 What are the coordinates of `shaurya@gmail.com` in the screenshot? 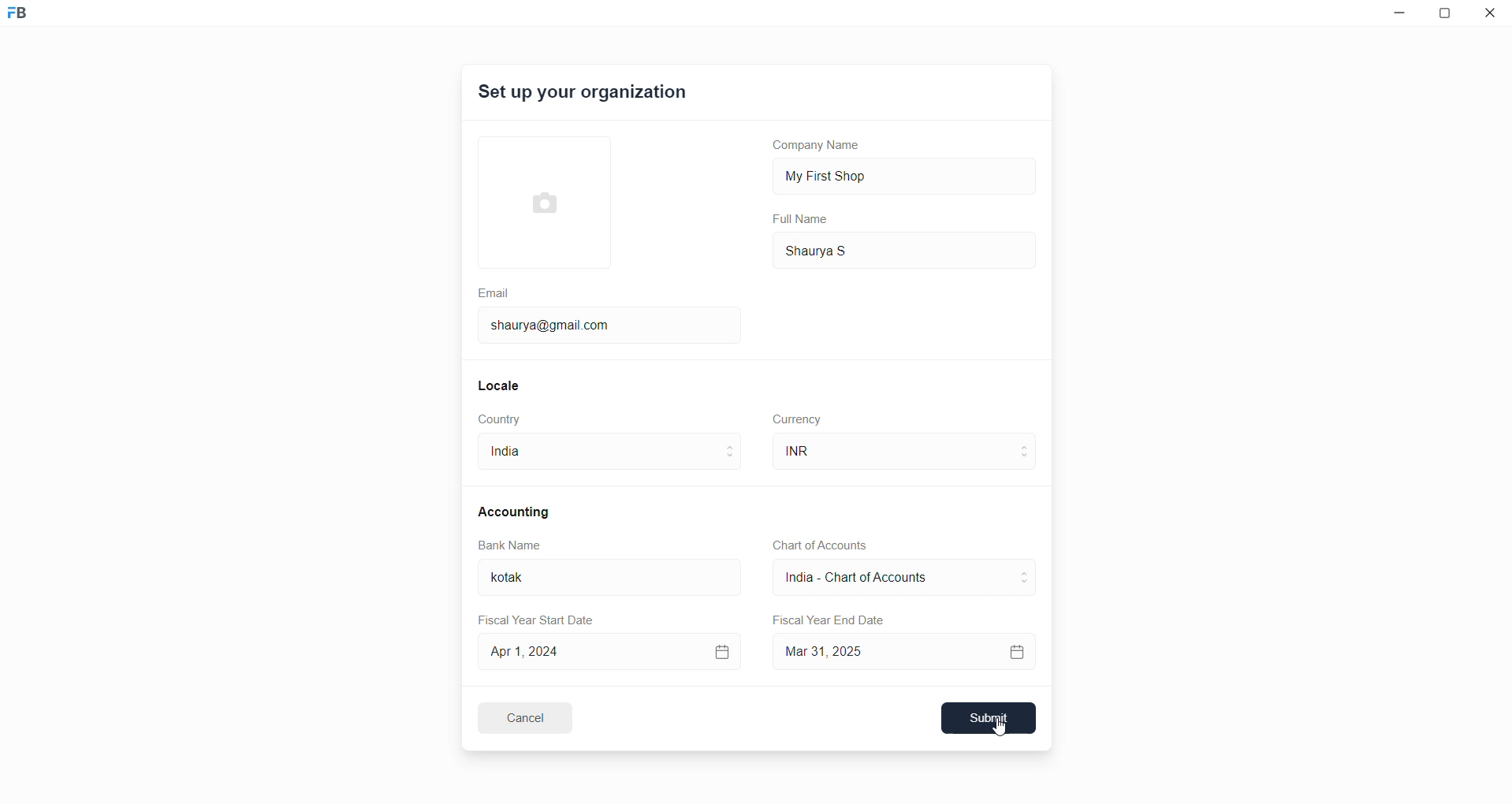 It's located at (556, 323).